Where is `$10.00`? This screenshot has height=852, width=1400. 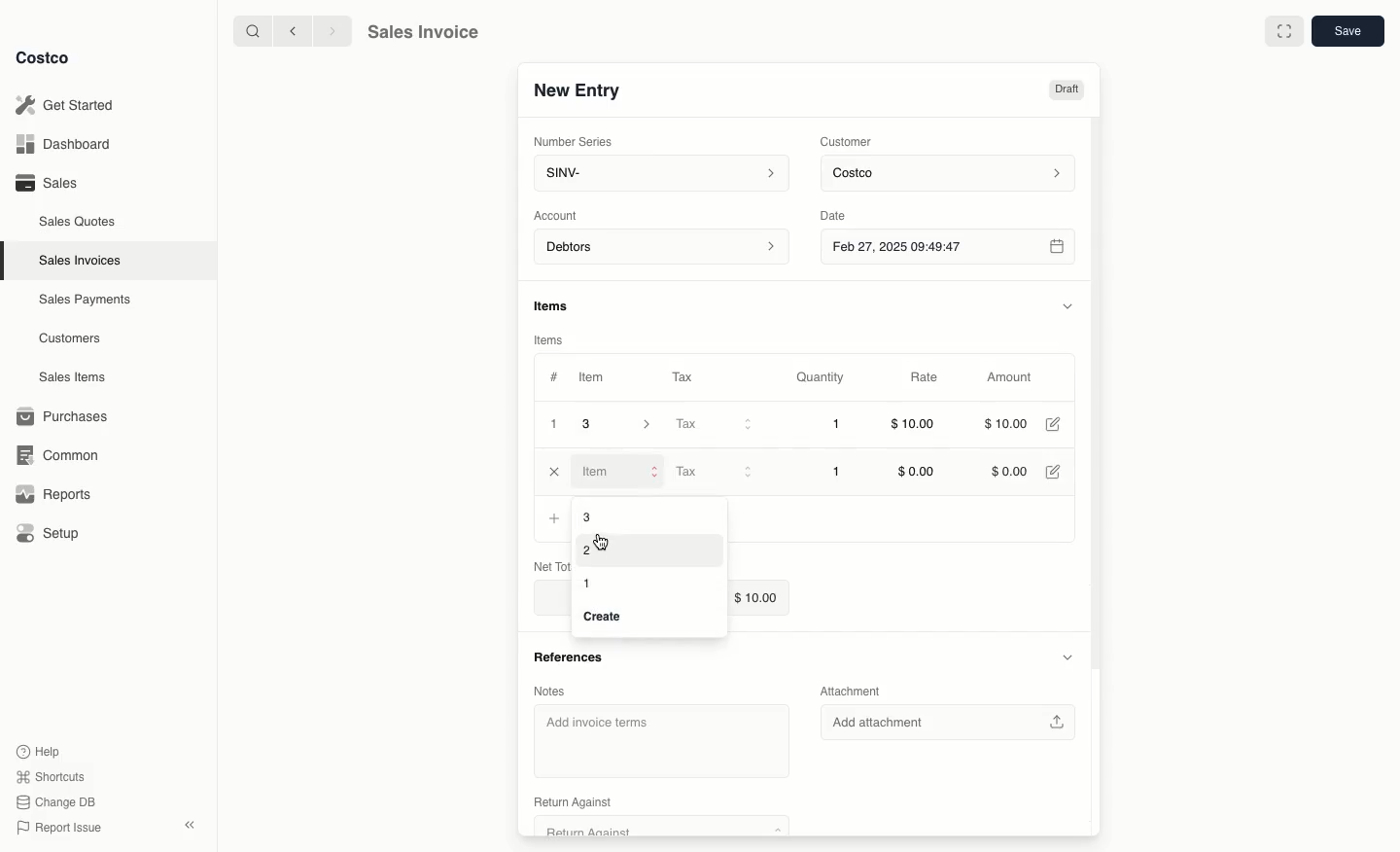
$10.00 is located at coordinates (914, 427).